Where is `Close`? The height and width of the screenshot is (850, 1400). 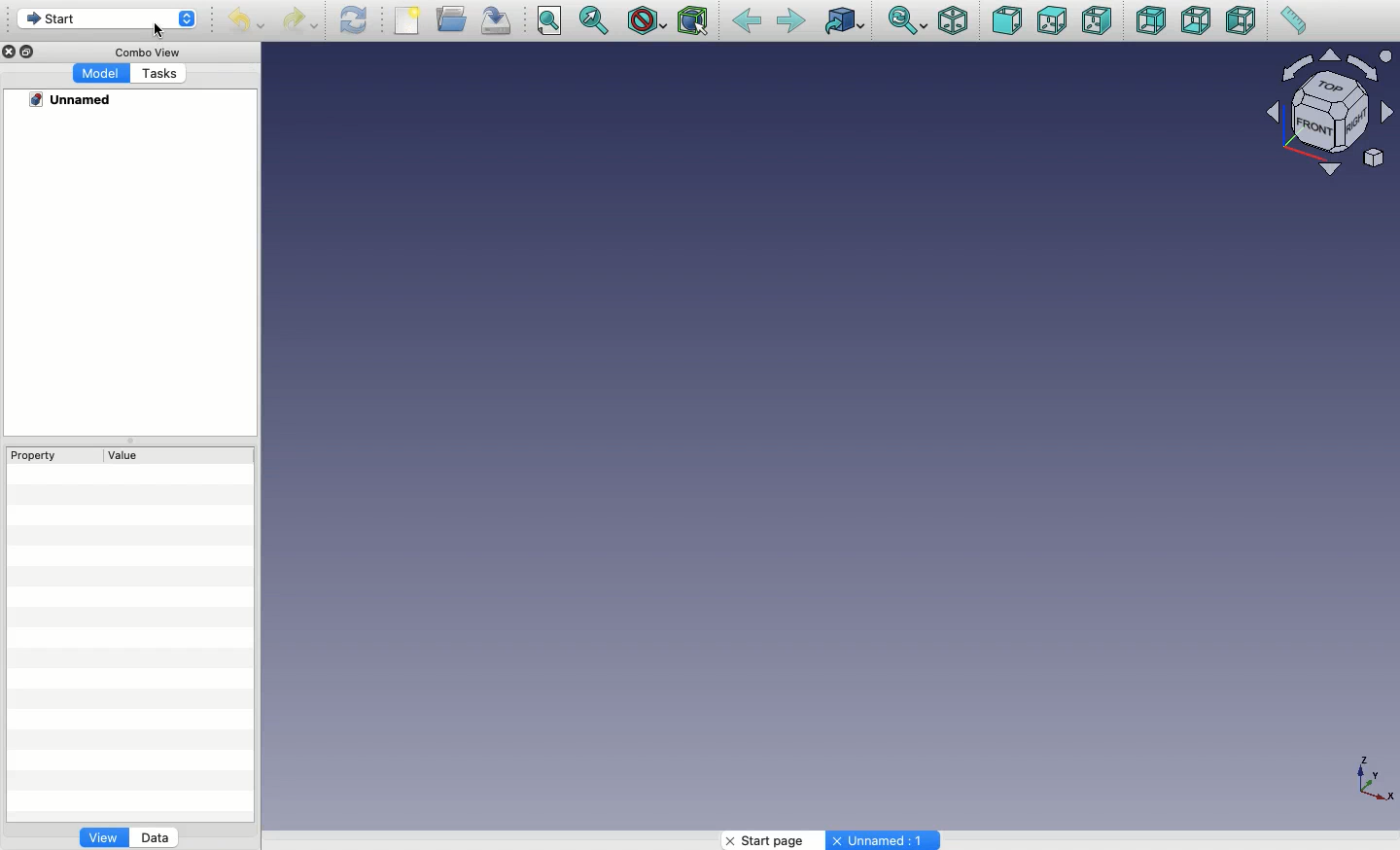 Close is located at coordinates (11, 52).